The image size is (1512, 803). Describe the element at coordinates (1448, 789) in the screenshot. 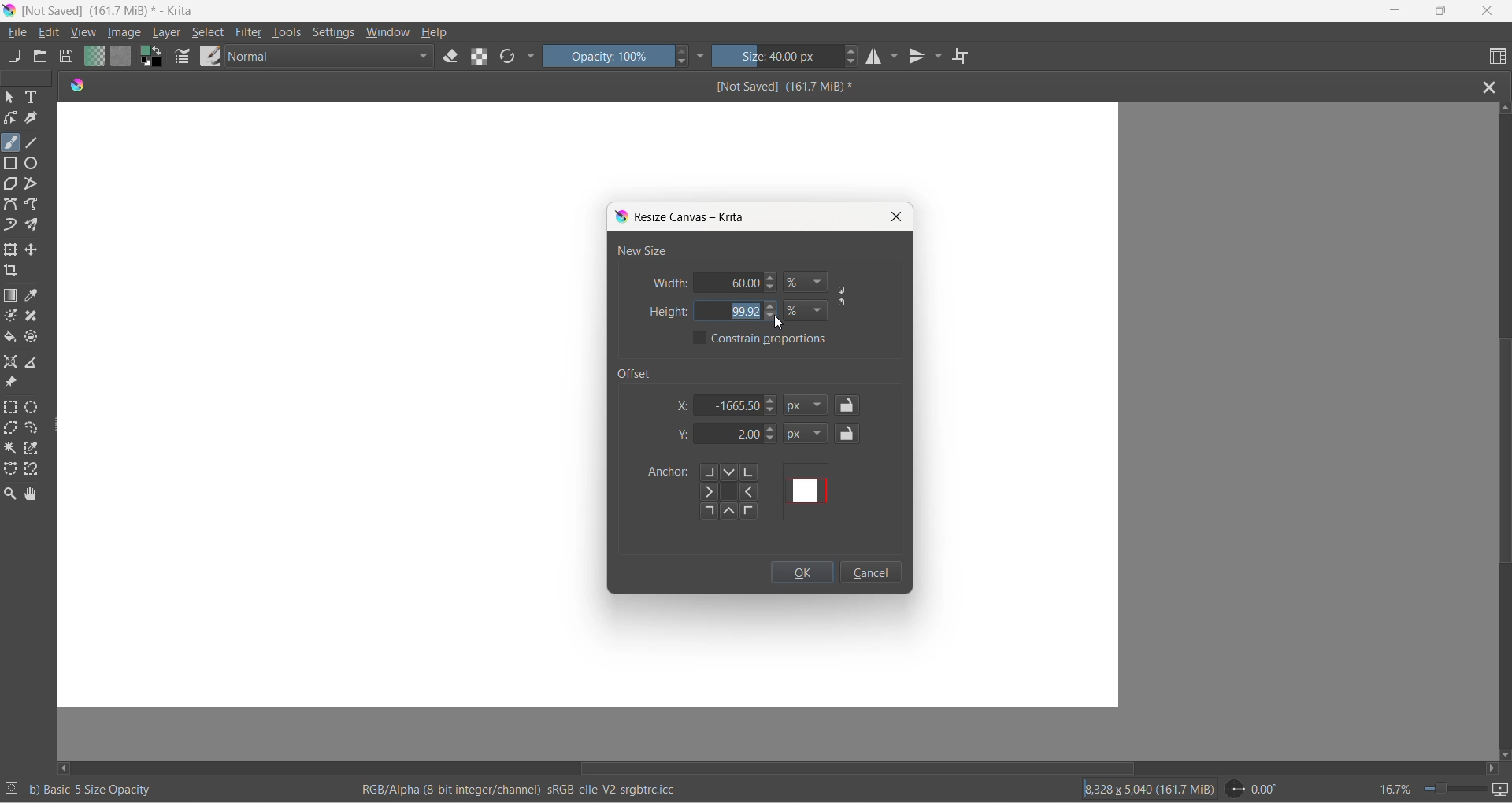

I see `zoom slider` at that location.